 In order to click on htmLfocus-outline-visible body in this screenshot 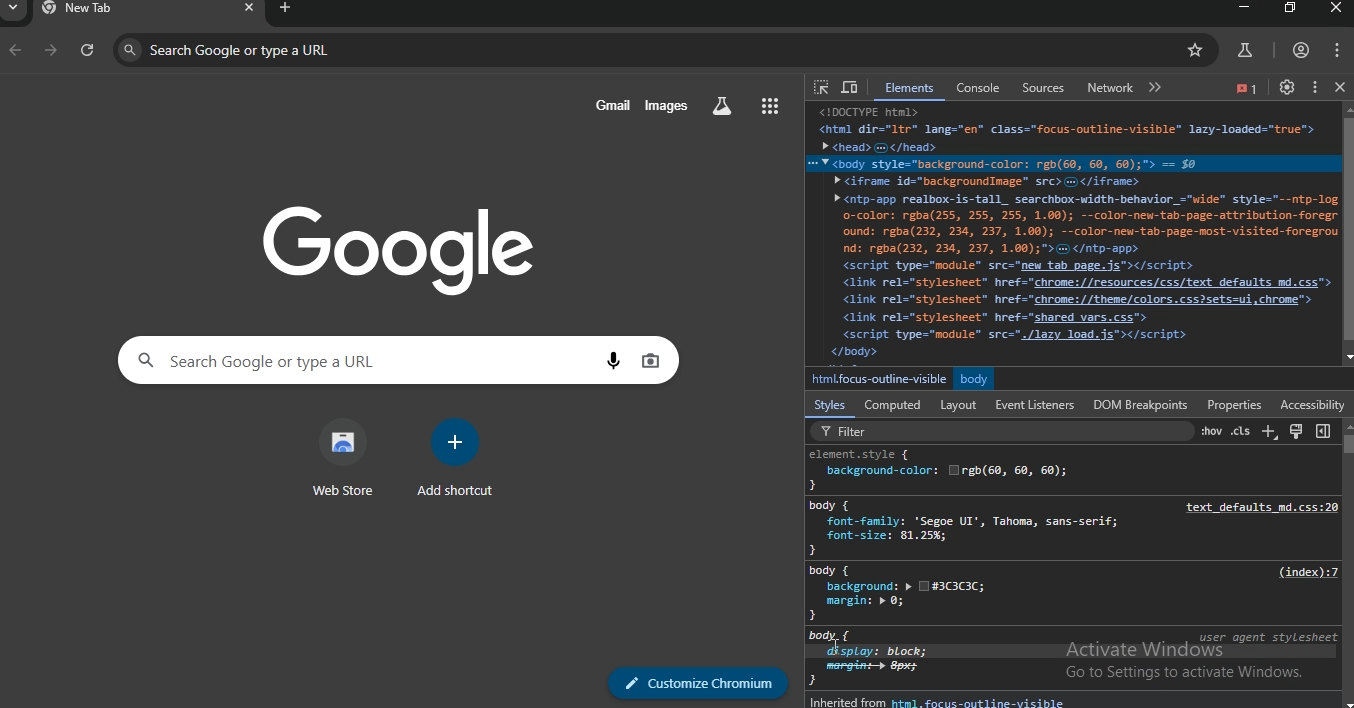, I will do `click(916, 378)`.